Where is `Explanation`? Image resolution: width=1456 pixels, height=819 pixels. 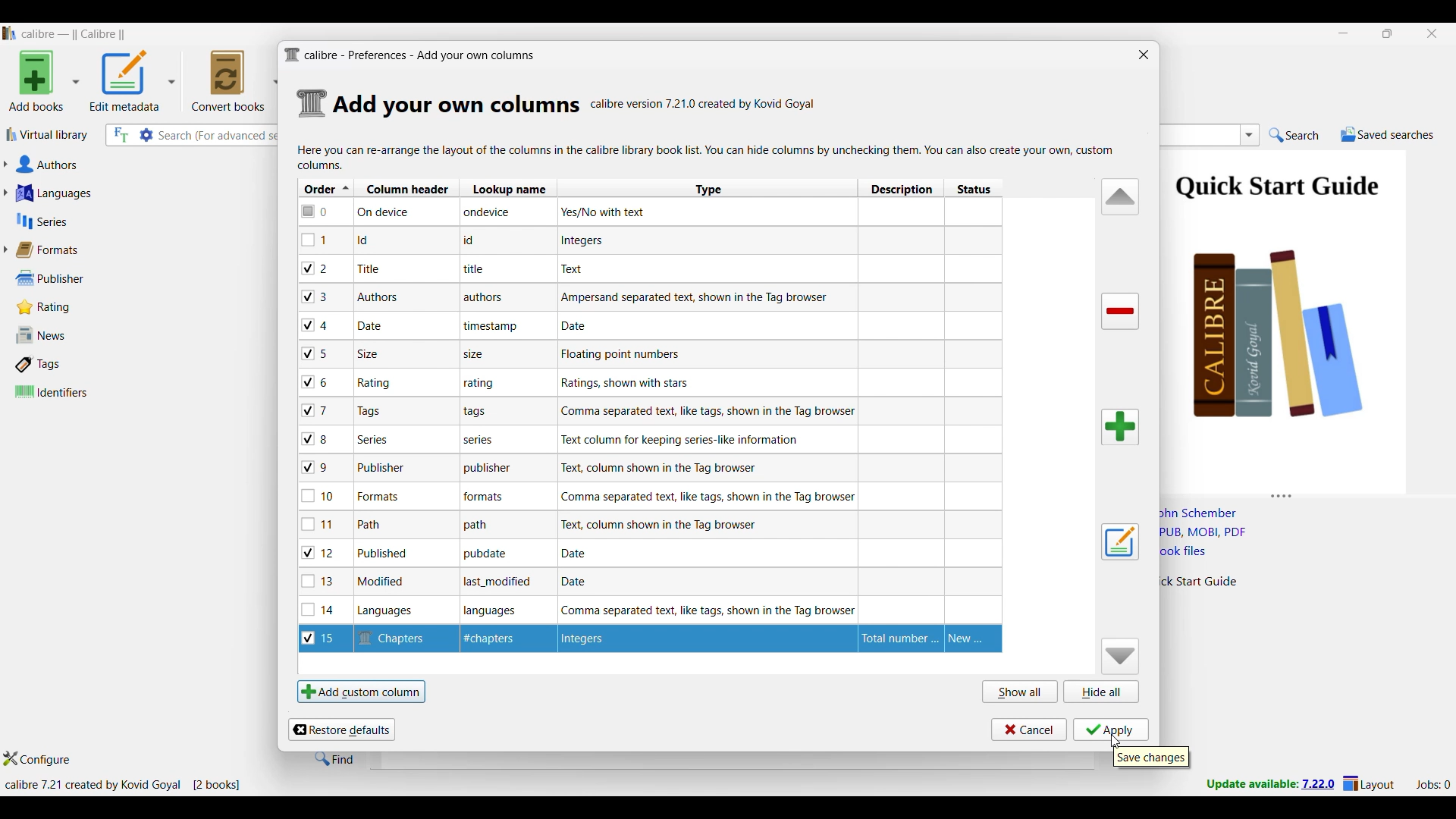
Explanation is located at coordinates (705, 412).